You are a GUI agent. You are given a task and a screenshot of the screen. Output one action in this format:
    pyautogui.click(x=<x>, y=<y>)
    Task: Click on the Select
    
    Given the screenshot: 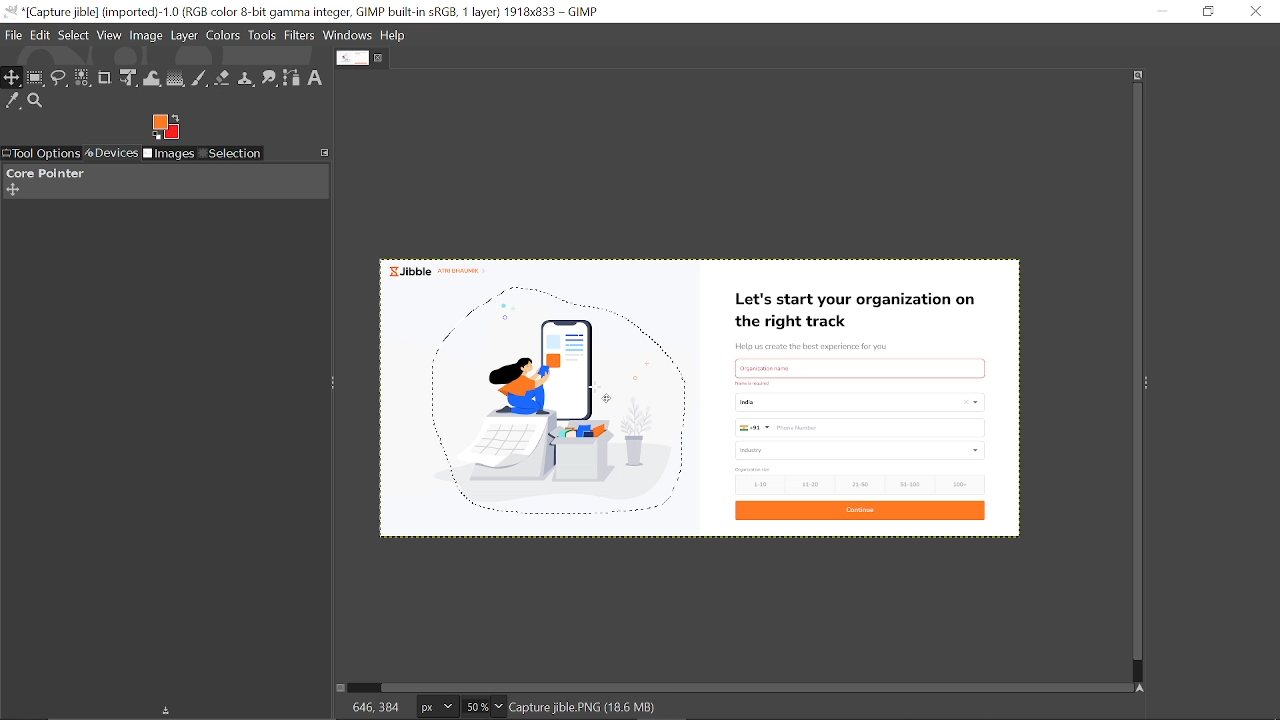 What is the action you would take?
    pyautogui.click(x=75, y=36)
    